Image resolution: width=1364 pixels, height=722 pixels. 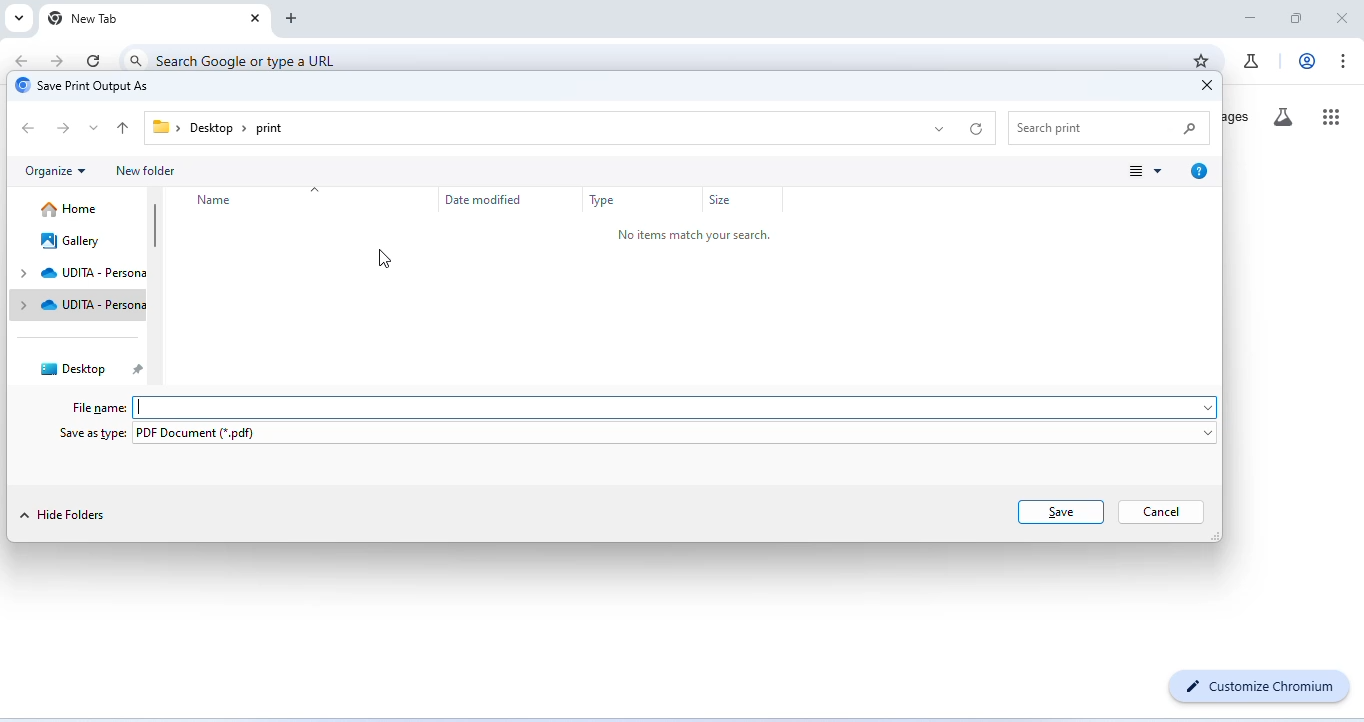 What do you see at coordinates (1240, 117) in the screenshot?
I see `images` at bounding box center [1240, 117].